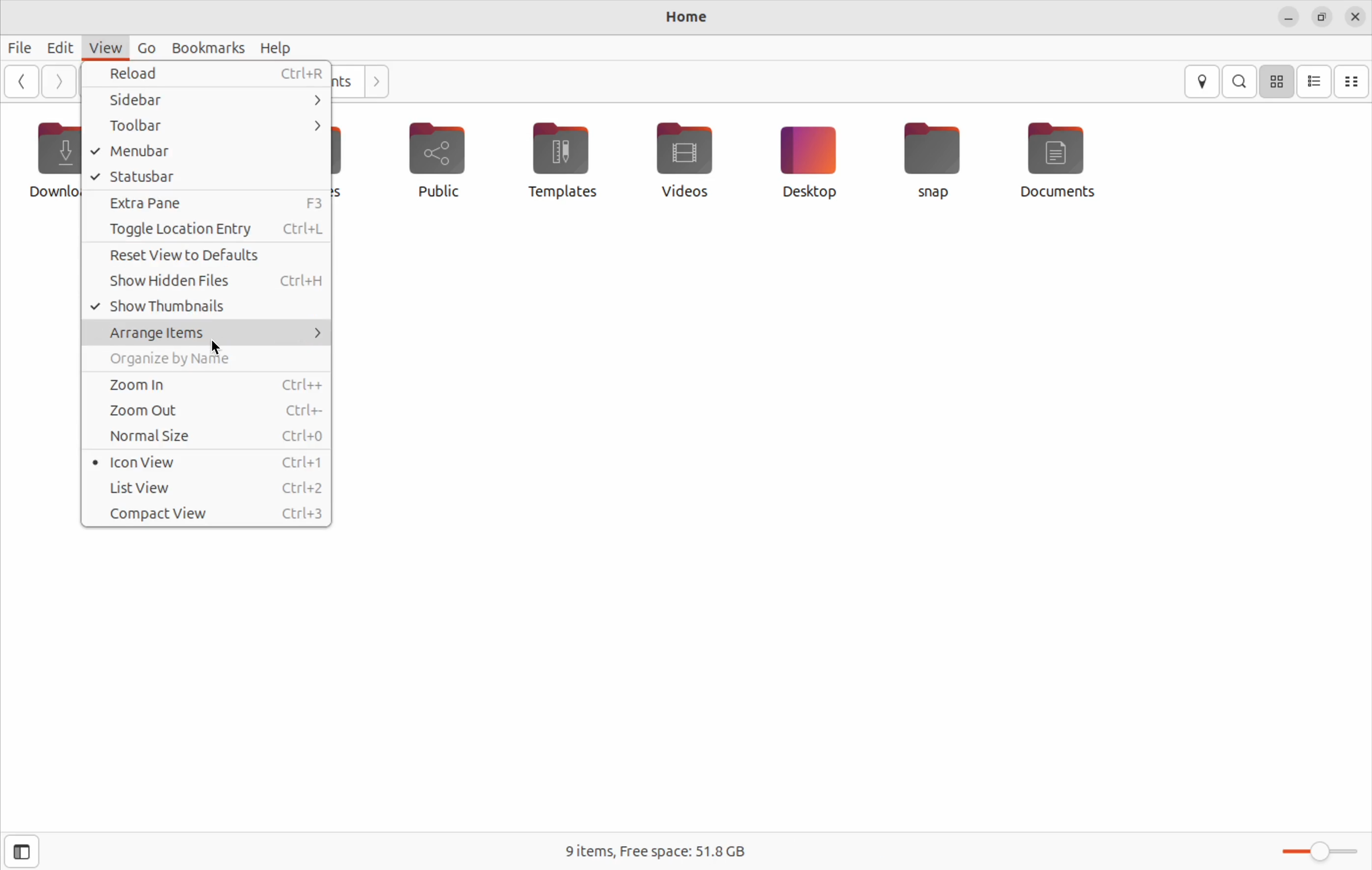  Describe the element at coordinates (207, 385) in the screenshot. I see `zoom in` at that location.